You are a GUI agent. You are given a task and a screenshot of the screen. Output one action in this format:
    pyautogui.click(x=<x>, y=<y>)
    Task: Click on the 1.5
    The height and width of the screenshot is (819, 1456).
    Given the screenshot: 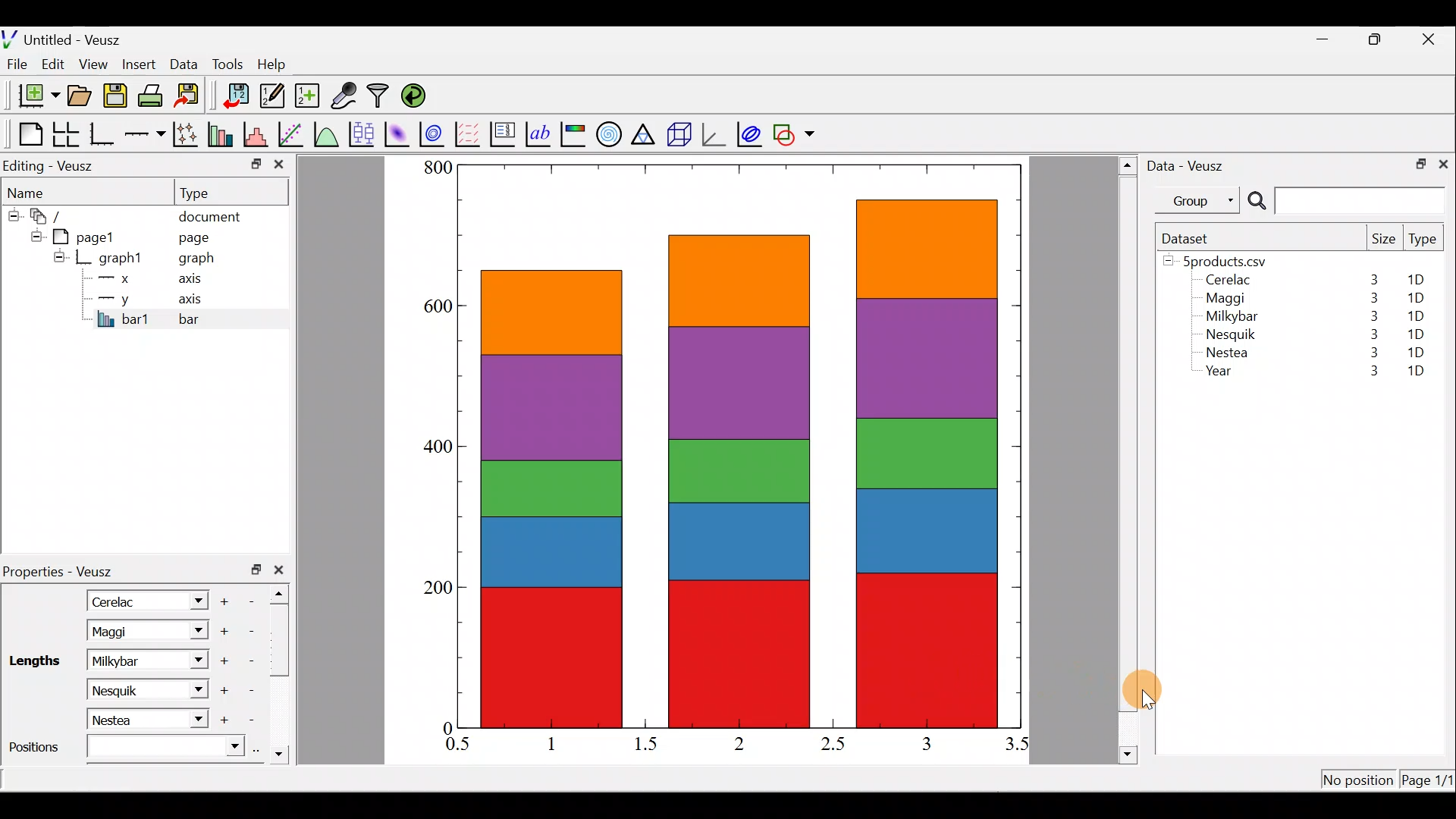 What is the action you would take?
    pyautogui.click(x=649, y=745)
    